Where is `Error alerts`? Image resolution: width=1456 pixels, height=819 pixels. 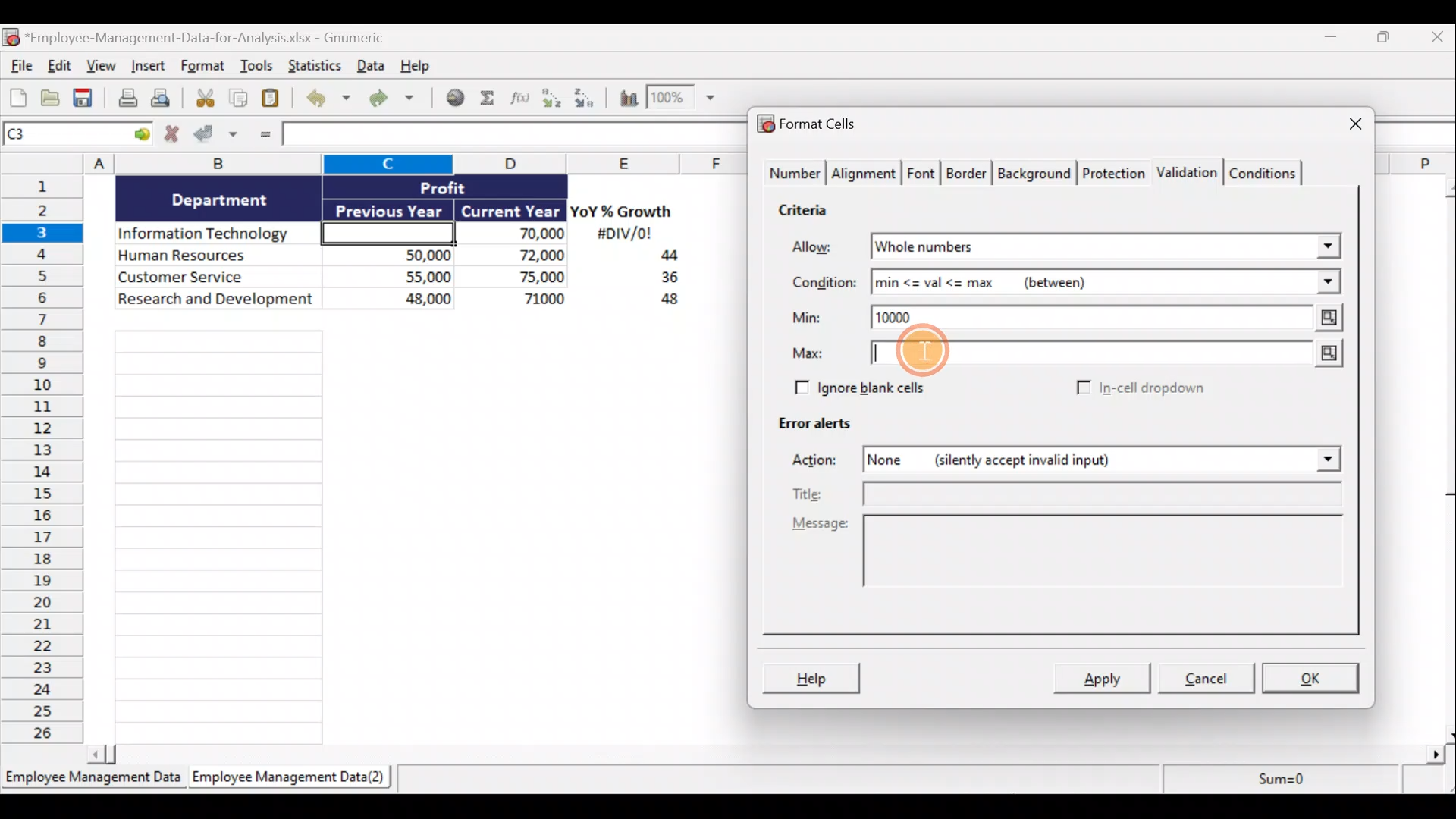 Error alerts is located at coordinates (821, 430).